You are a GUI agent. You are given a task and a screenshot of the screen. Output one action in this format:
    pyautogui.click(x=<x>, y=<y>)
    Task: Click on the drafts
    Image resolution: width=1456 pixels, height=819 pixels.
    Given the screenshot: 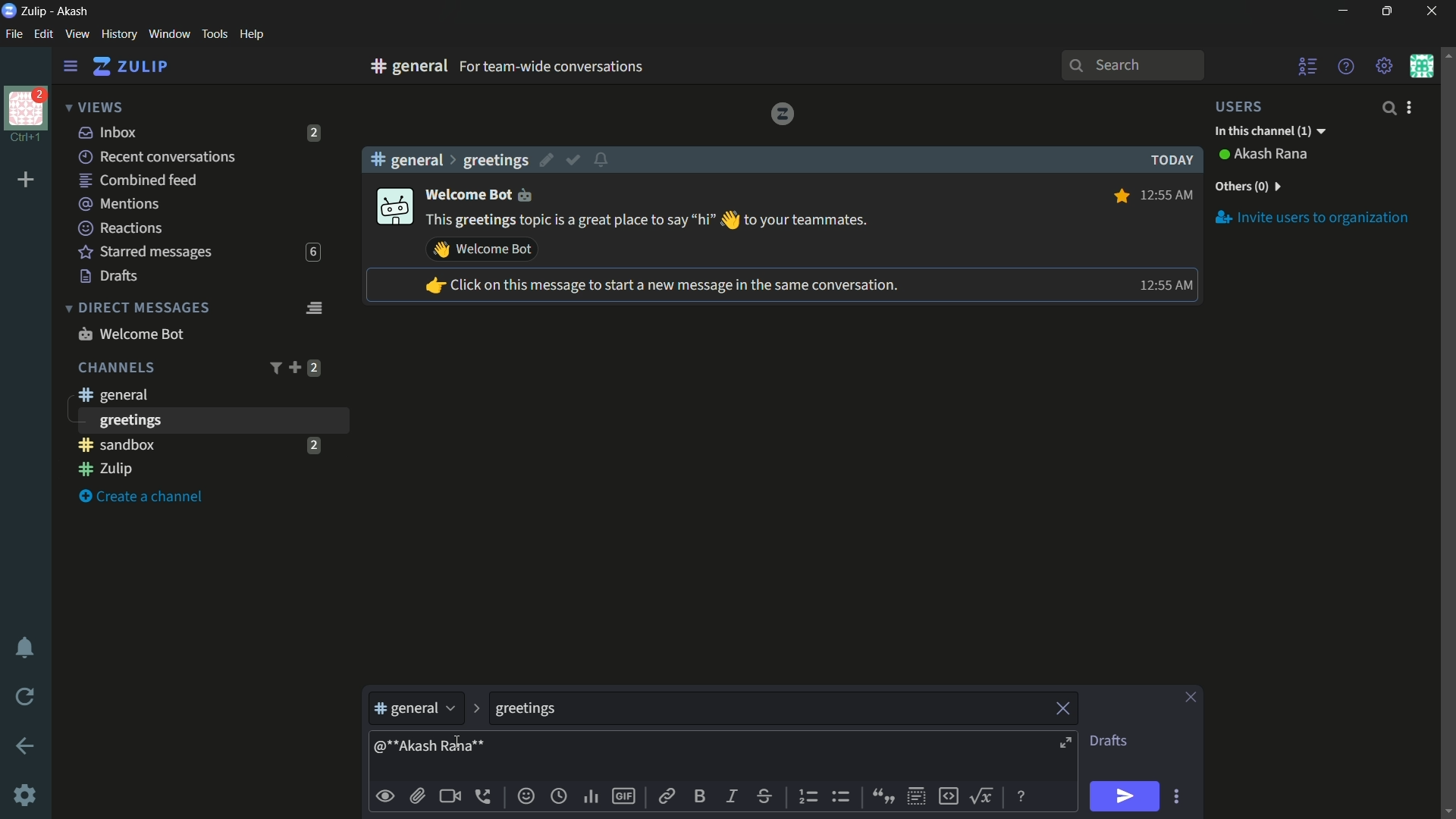 What is the action you would take?
    pyautogui.click(x=1108, y=741)
    